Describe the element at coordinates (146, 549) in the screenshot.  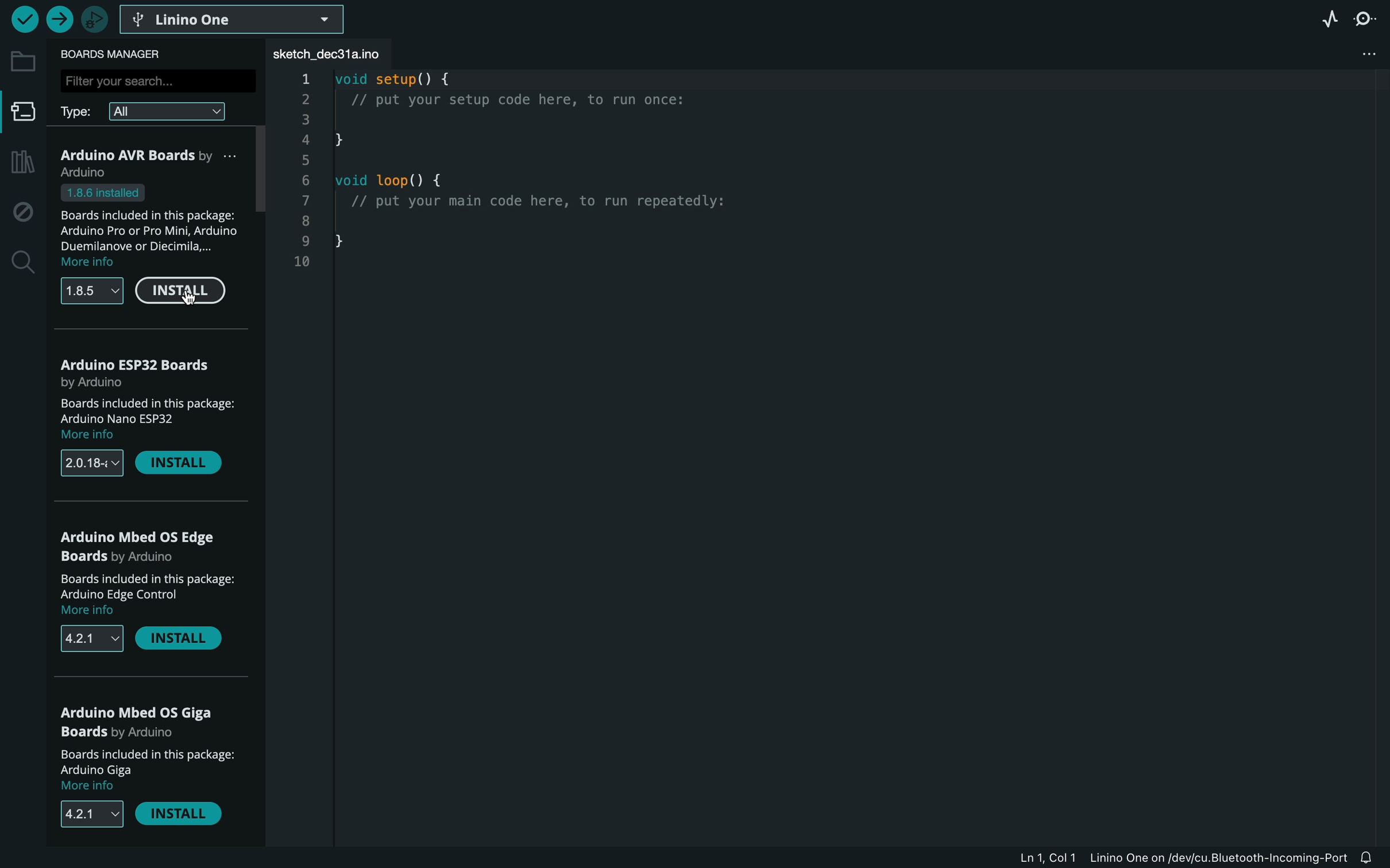
I see `arduino Mbed` at that location.